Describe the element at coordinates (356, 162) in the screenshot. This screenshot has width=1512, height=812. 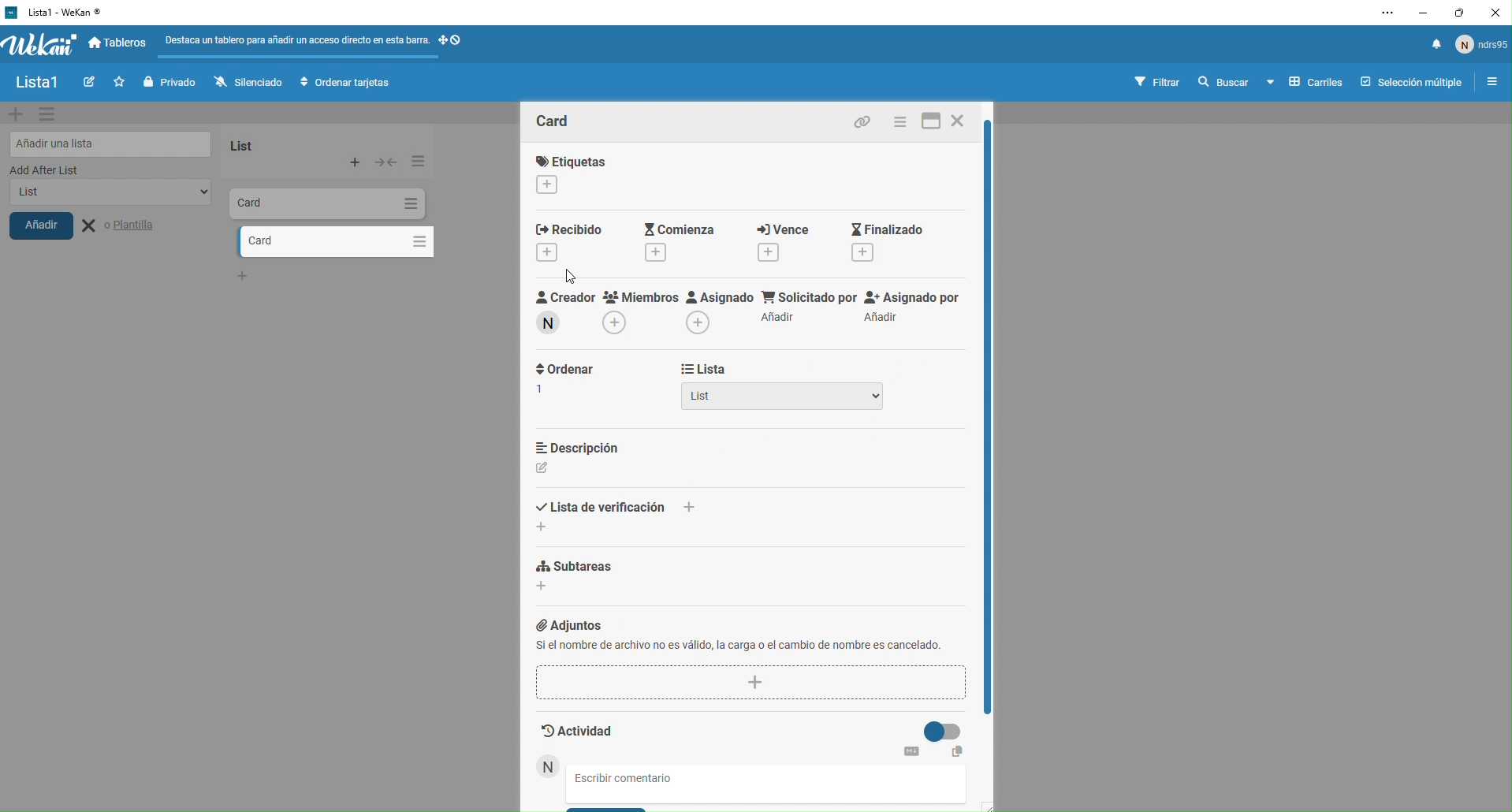
I see `Add` at that location.